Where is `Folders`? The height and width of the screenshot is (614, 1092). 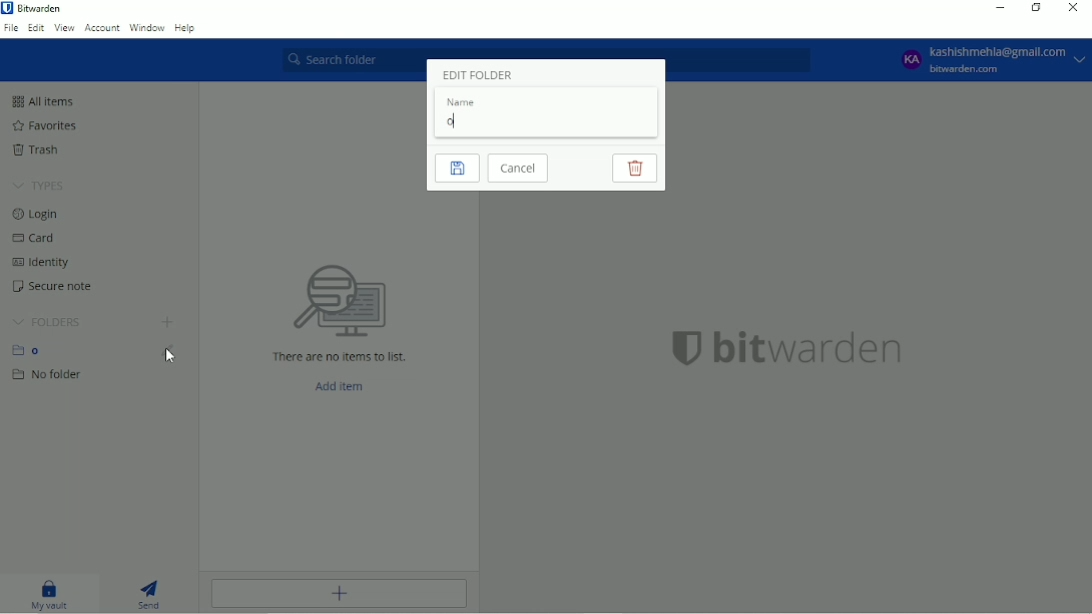 Folders is located at coordinates (46, 322).